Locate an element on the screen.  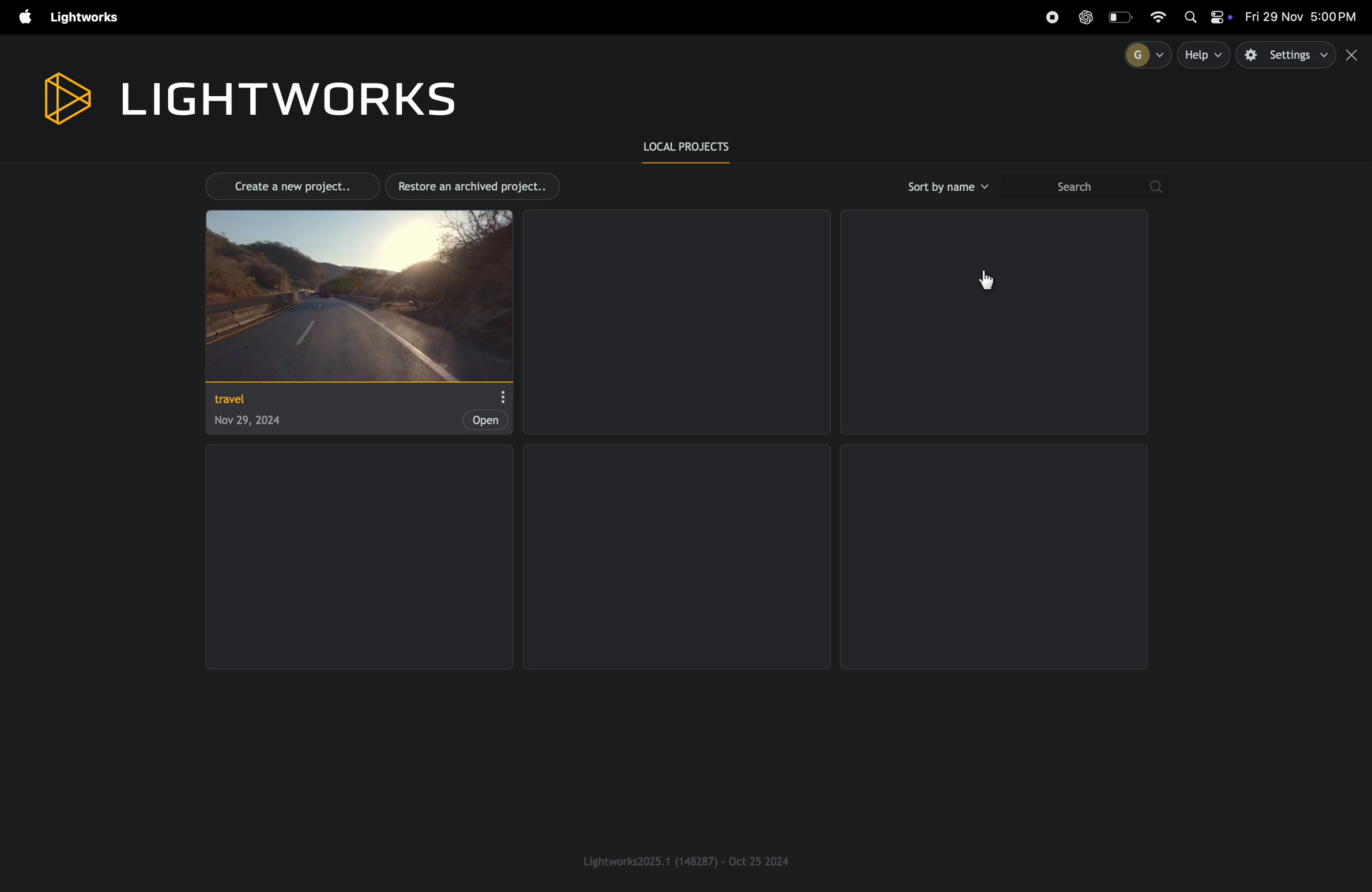
settings is located at coordinates (1287, 55).